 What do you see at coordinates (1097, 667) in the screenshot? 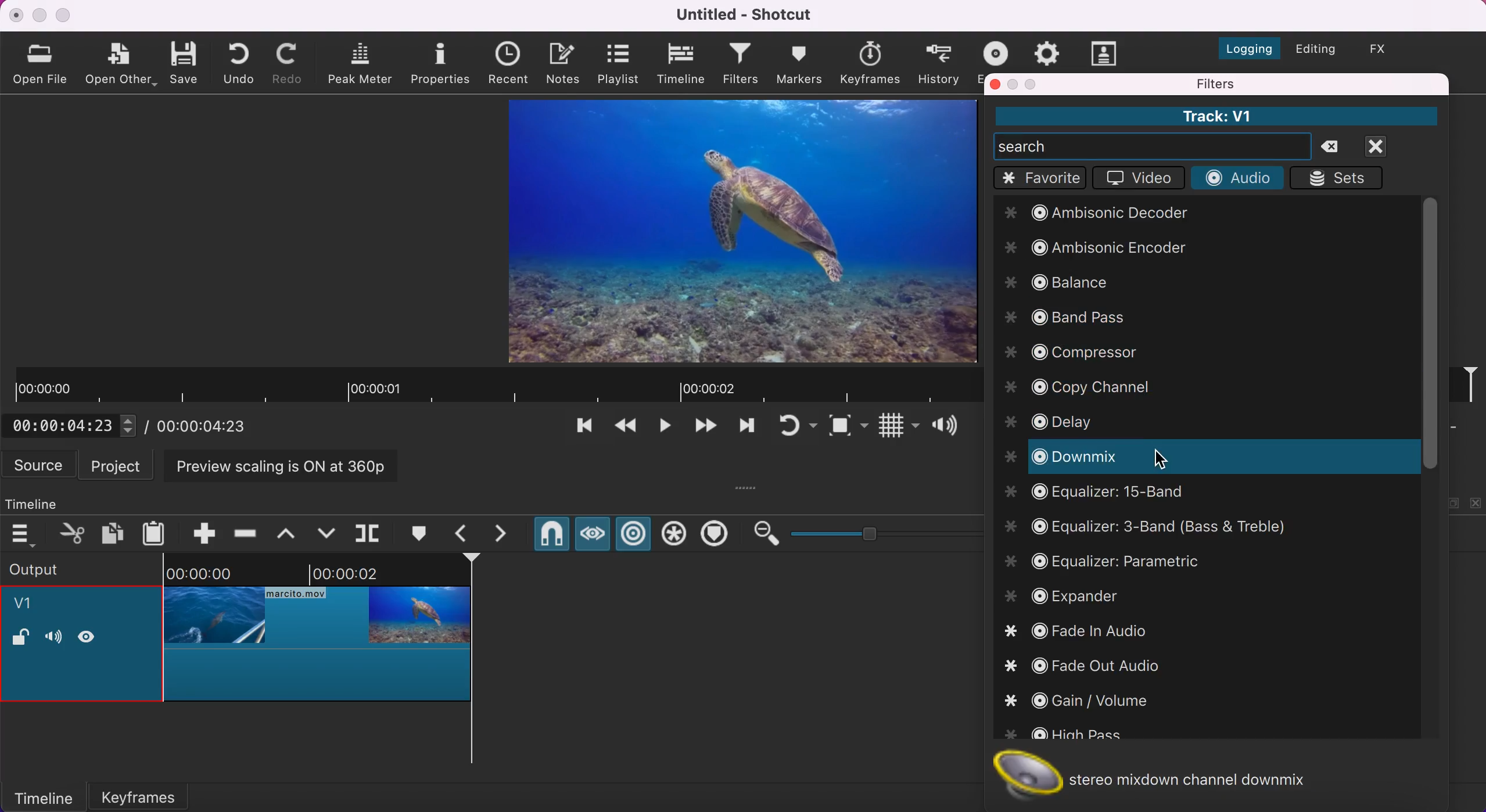
I see `fade out audio` at bounding box center [1097, 667].